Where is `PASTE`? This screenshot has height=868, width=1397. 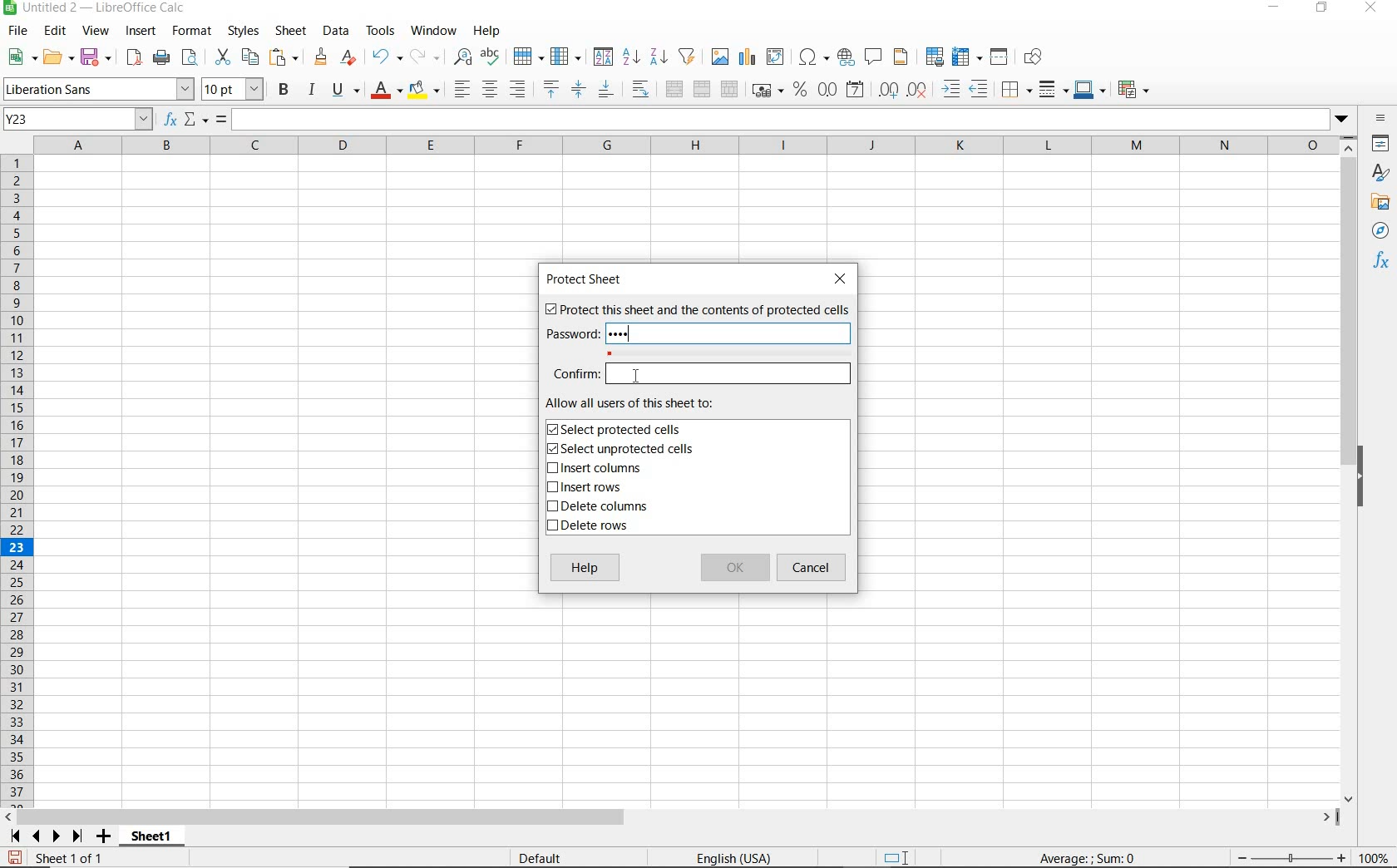
PASTE is located at coordinates (284, 57).